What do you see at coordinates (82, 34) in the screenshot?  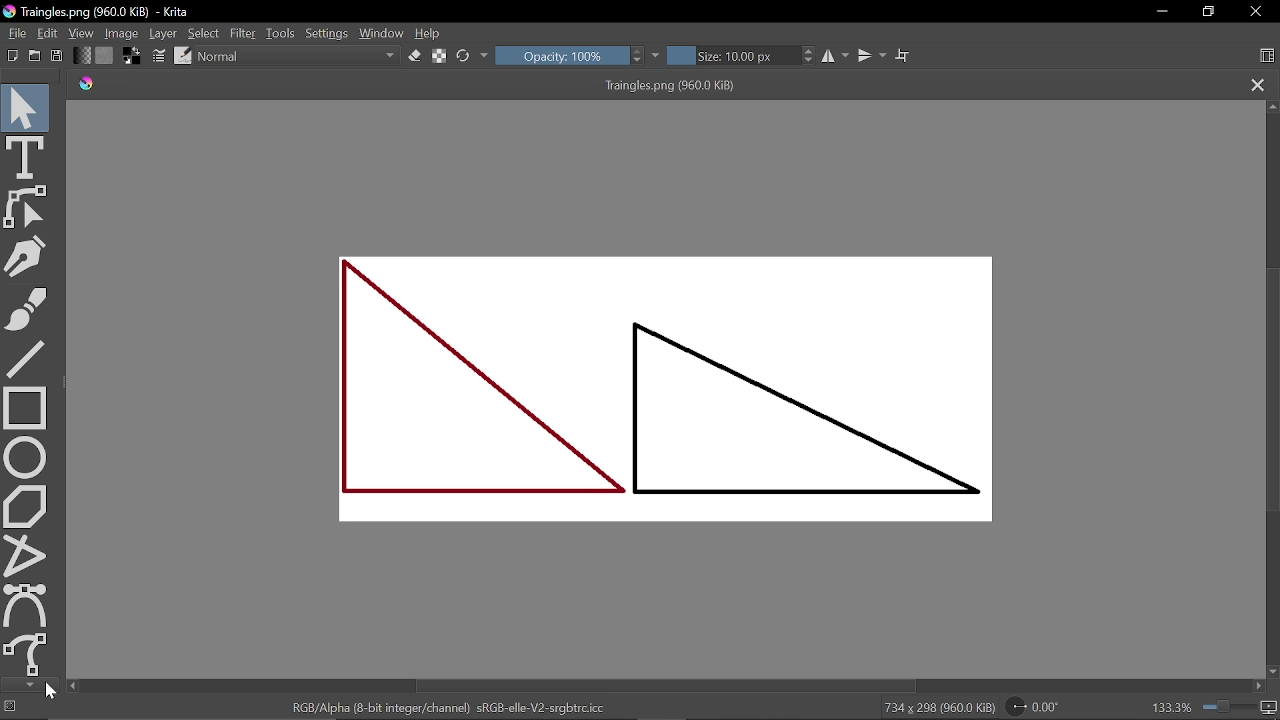 I see `View` at bounding box center [82, 34].